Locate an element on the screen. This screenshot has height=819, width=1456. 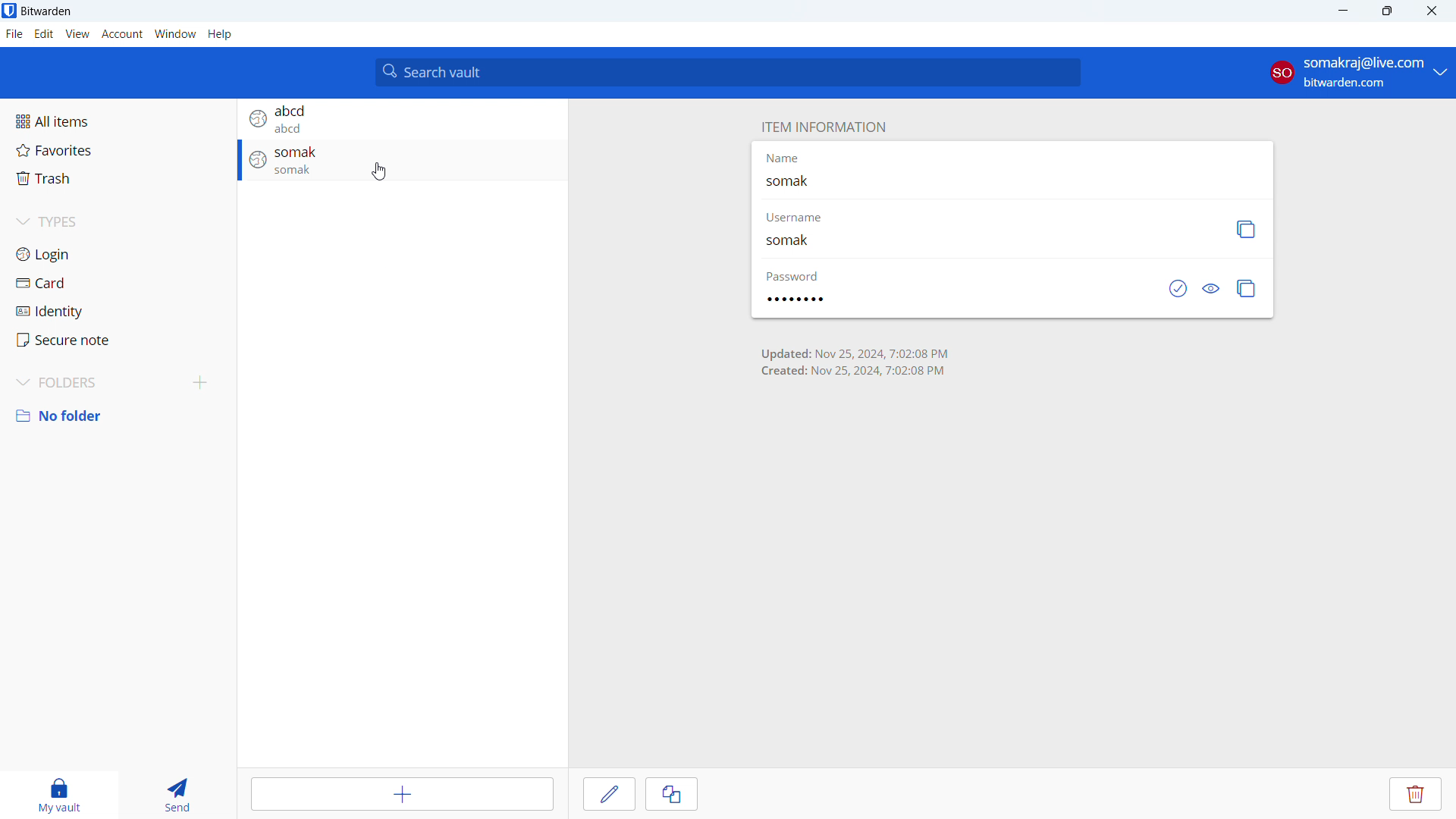
add folder is located at coordinates (199, 384).